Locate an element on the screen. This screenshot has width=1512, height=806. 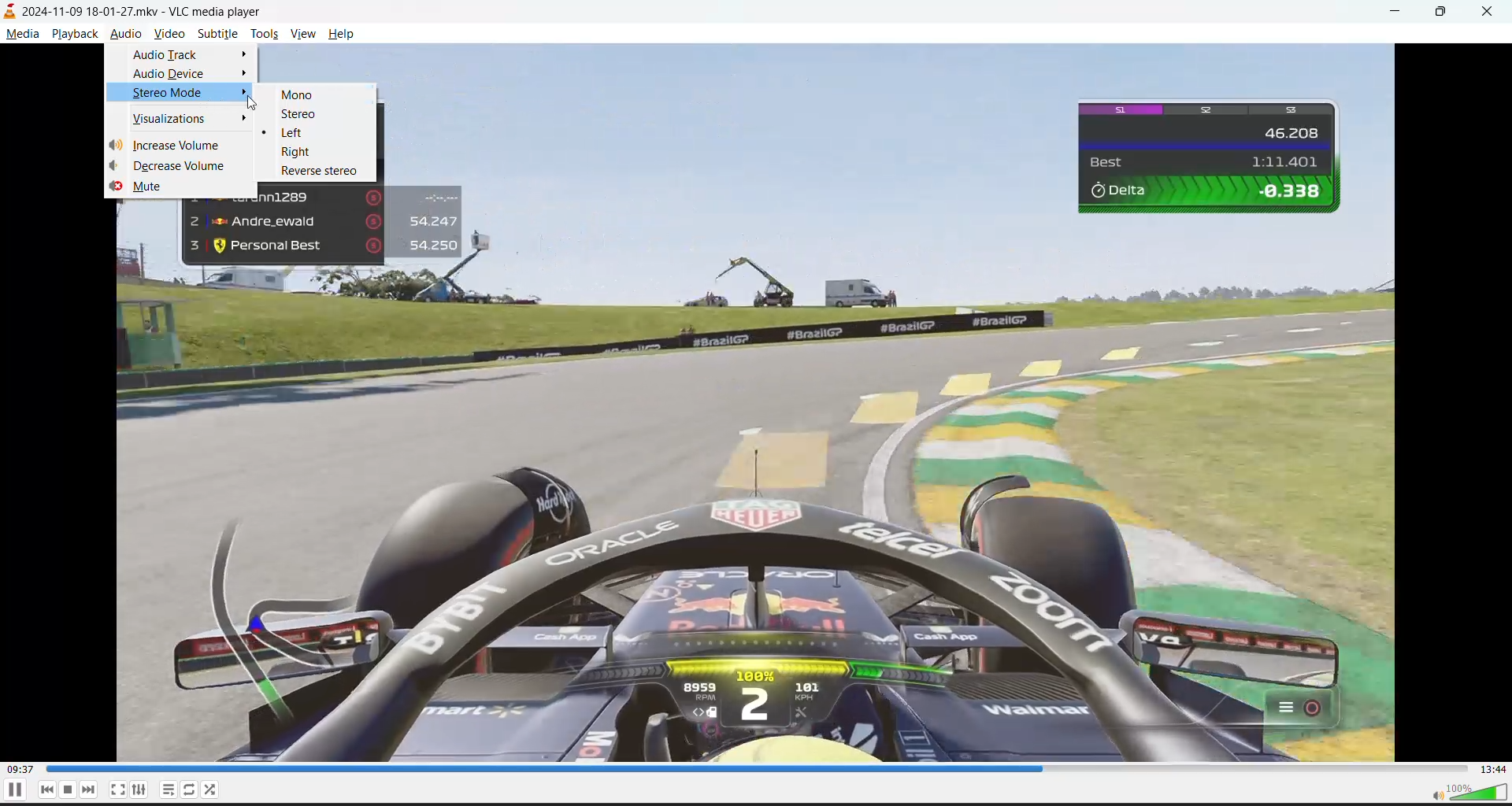
subtitle is located at coordinates (220, 35).